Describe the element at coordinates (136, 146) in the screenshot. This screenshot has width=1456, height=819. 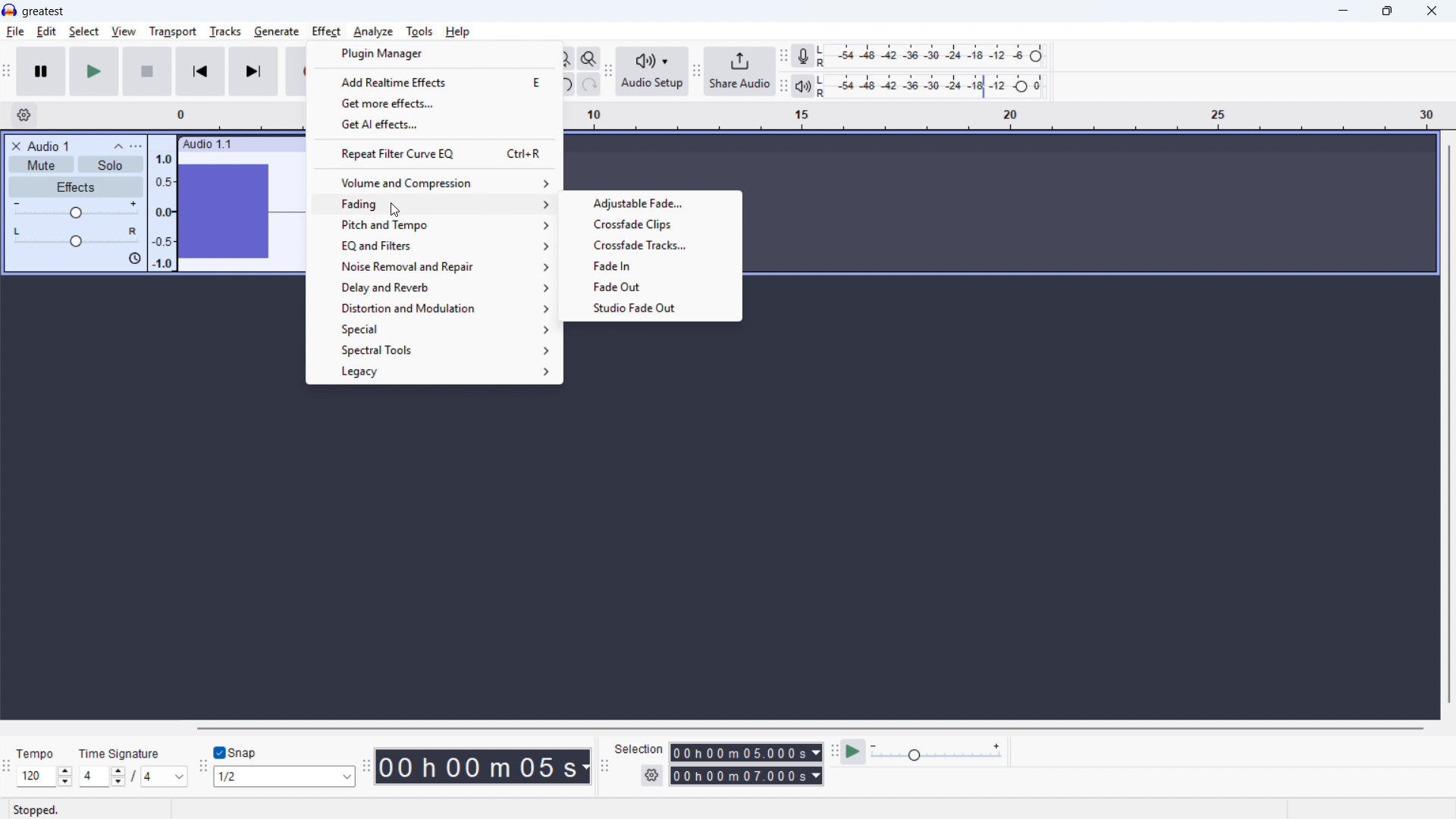
I see `Track control panel menu ` at that location.